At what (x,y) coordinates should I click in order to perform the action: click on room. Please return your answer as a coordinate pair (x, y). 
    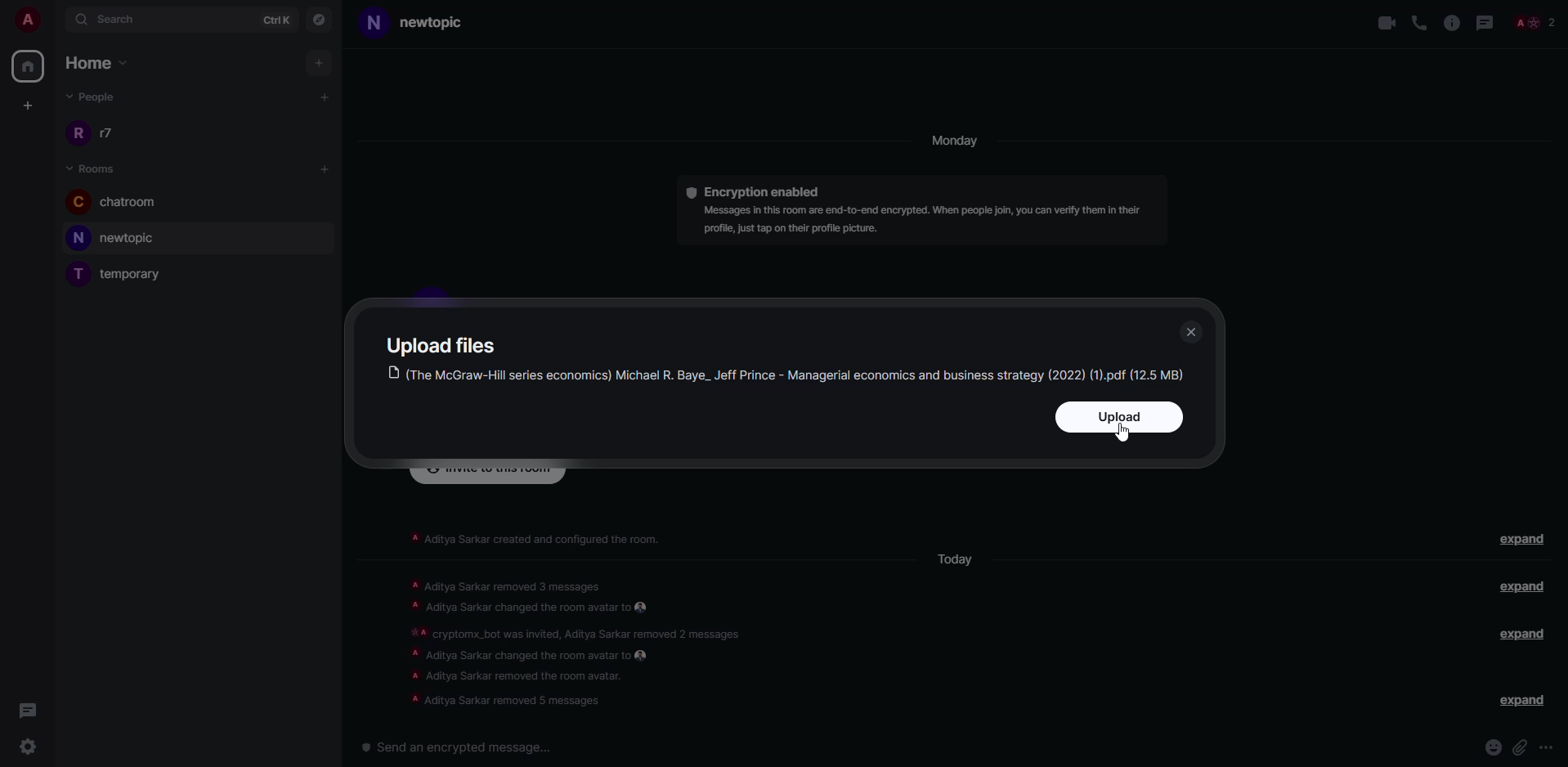
    Looking at the image, I should click on (422, 22).